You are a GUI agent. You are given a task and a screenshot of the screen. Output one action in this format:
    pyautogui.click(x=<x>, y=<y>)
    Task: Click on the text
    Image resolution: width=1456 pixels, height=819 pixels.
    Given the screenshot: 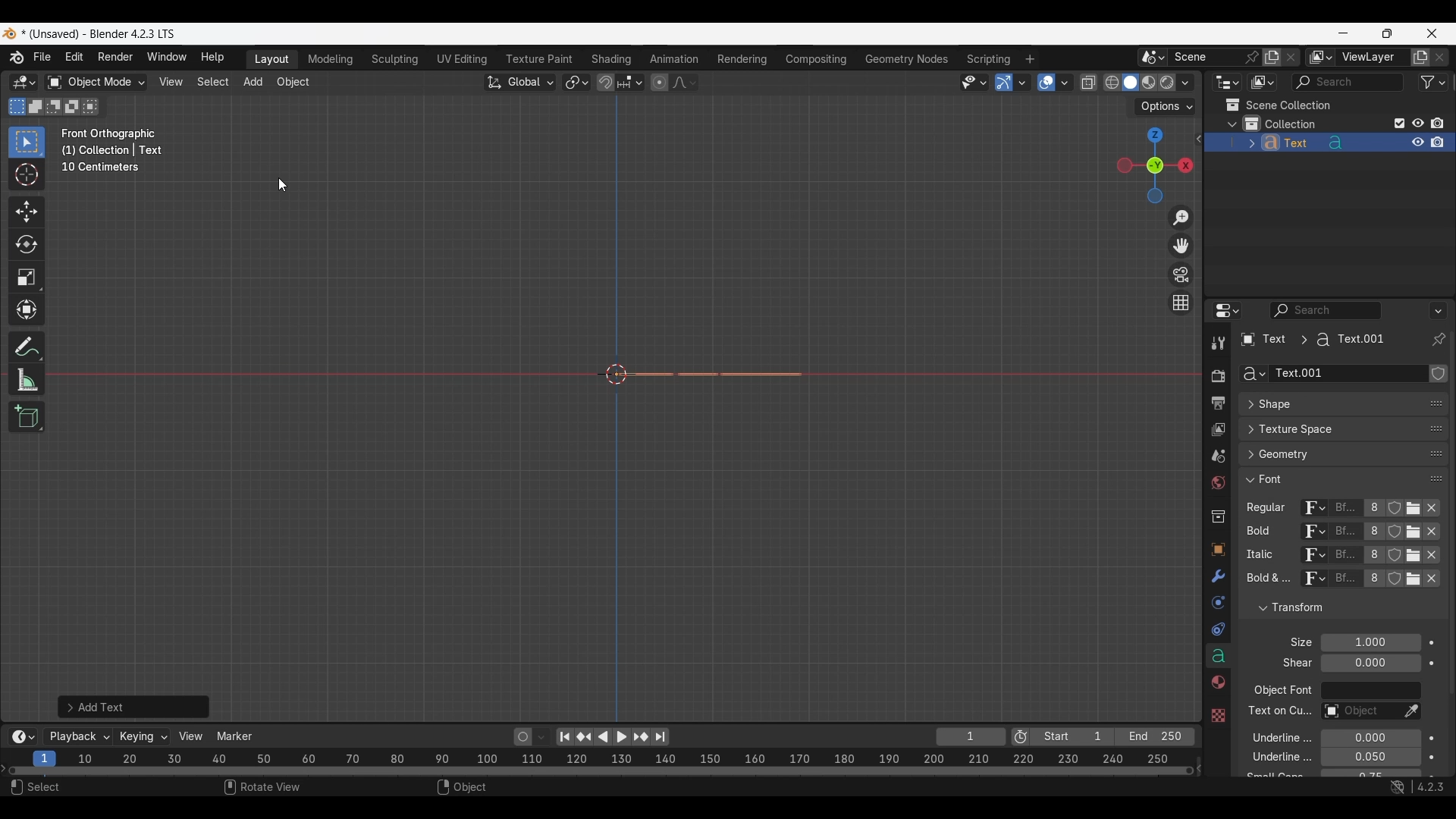 What is the action you would take?
    pyautogui.click(x=1266, y=580)
    